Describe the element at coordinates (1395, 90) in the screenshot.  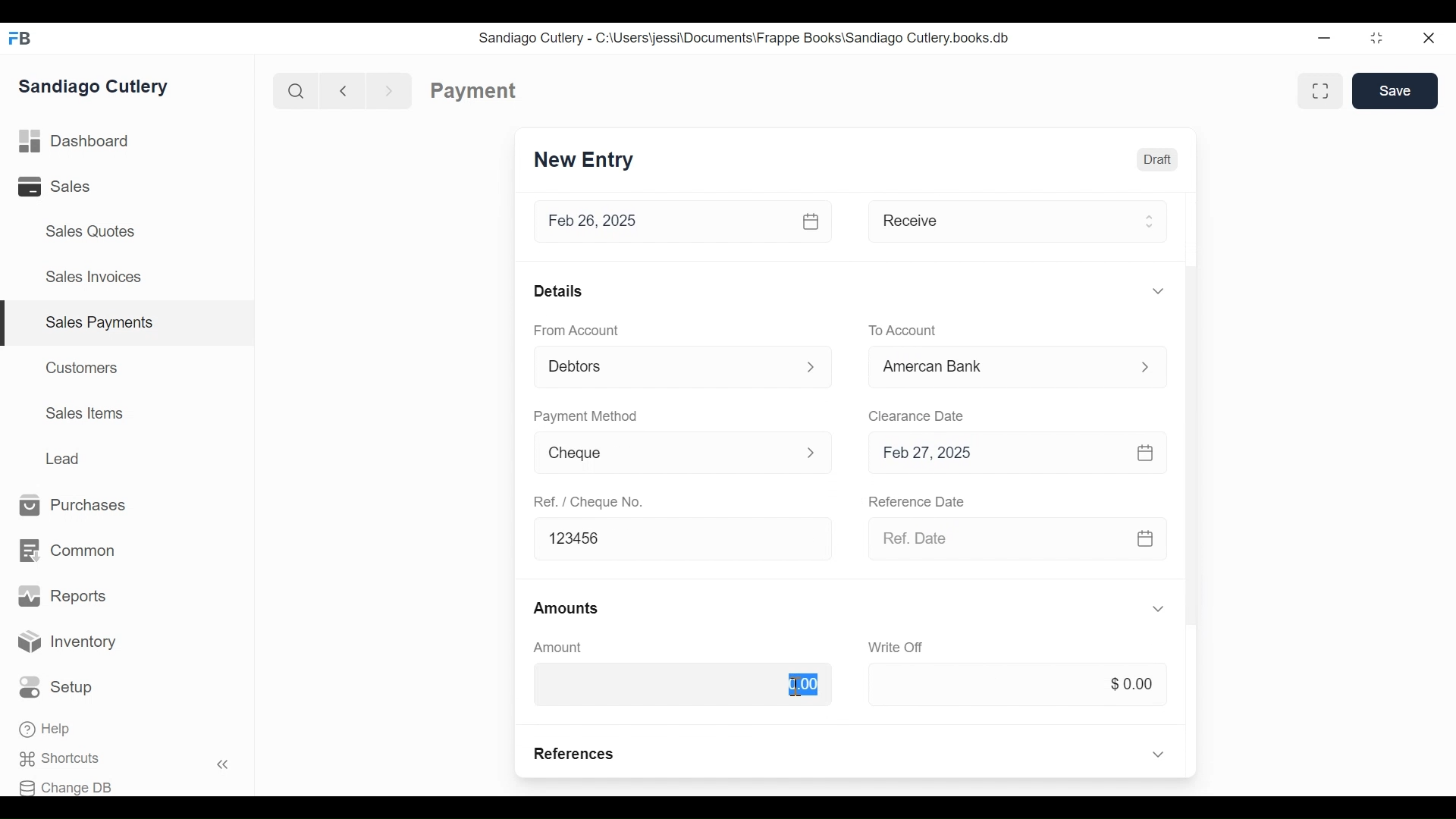
I see `Save` at that location.